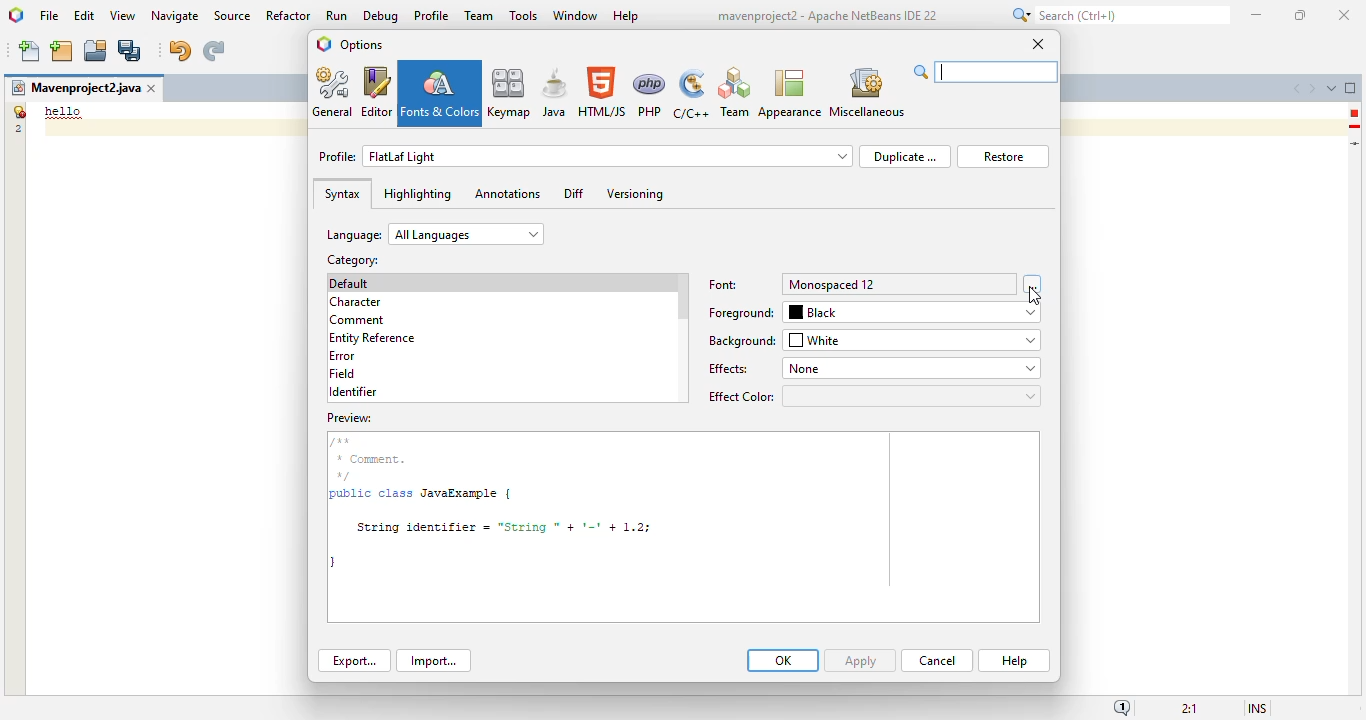 This screenshot has width=1366, height=720. What do you see at coordinates (1118, 15) in the screenshot?
I see `search` at bounding box center [1118, 15].